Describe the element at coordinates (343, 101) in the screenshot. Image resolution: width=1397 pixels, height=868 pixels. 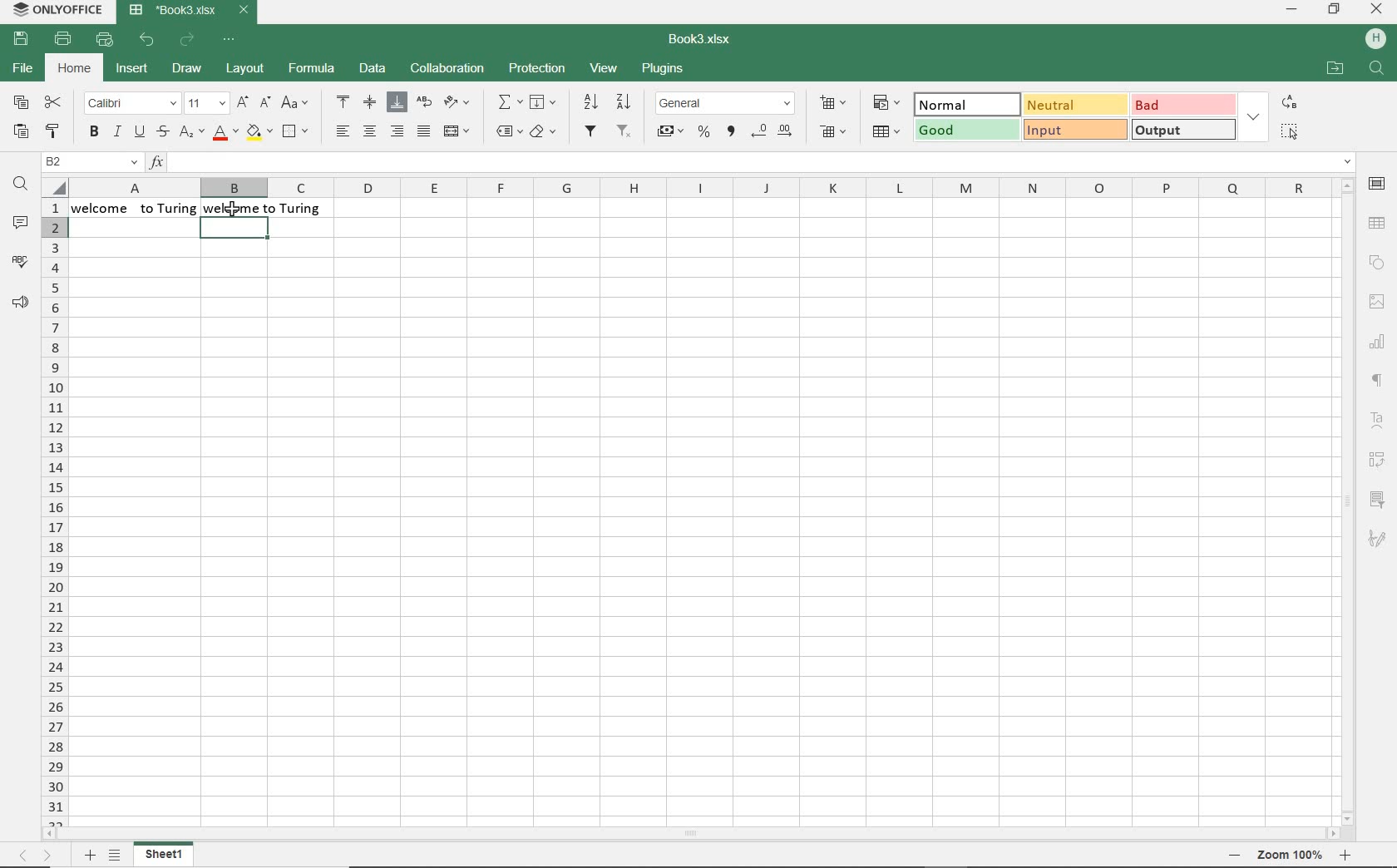
I see `align top` at that location.